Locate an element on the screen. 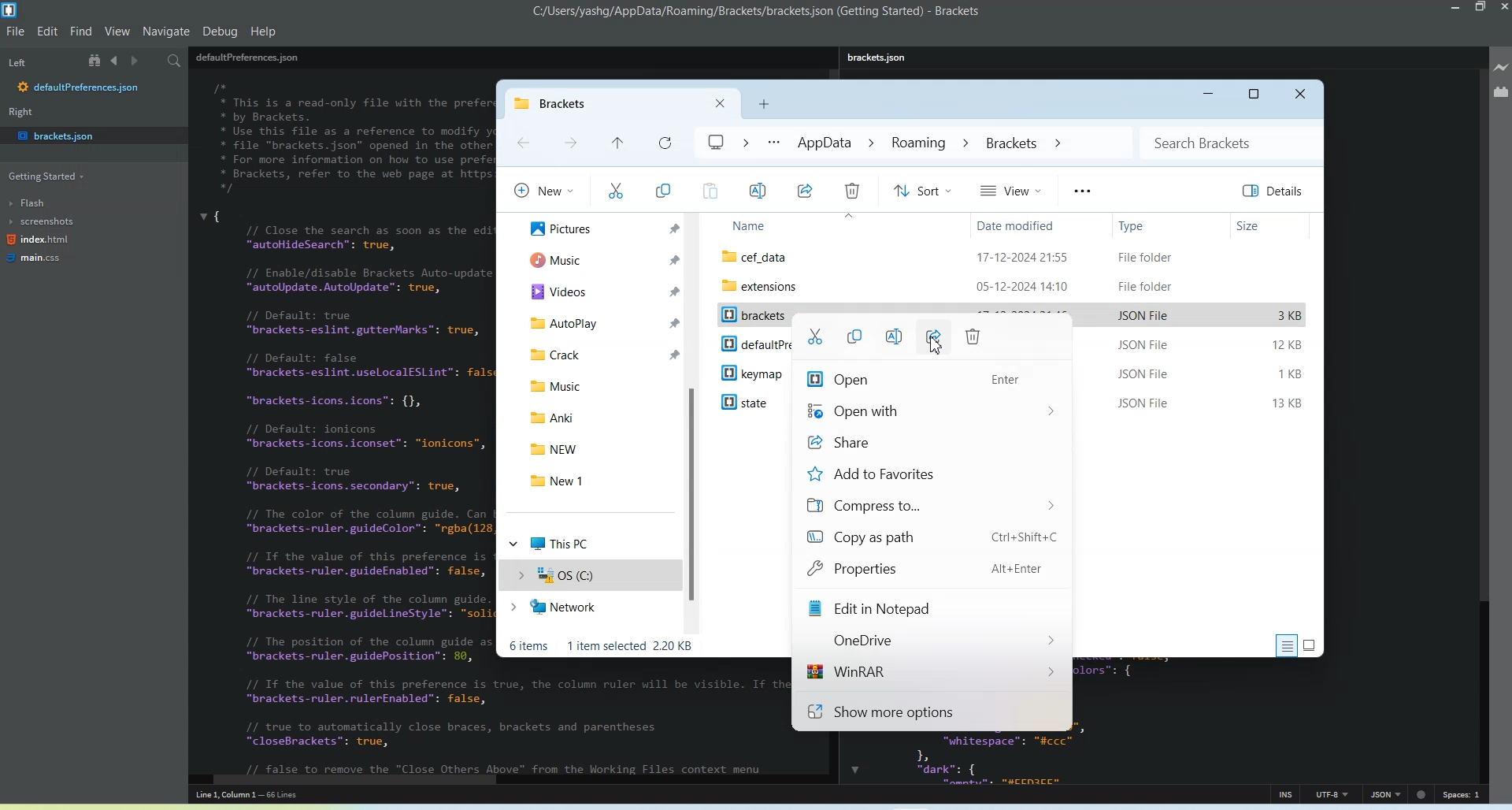  brackets.json is located at coordinates (881, 58).